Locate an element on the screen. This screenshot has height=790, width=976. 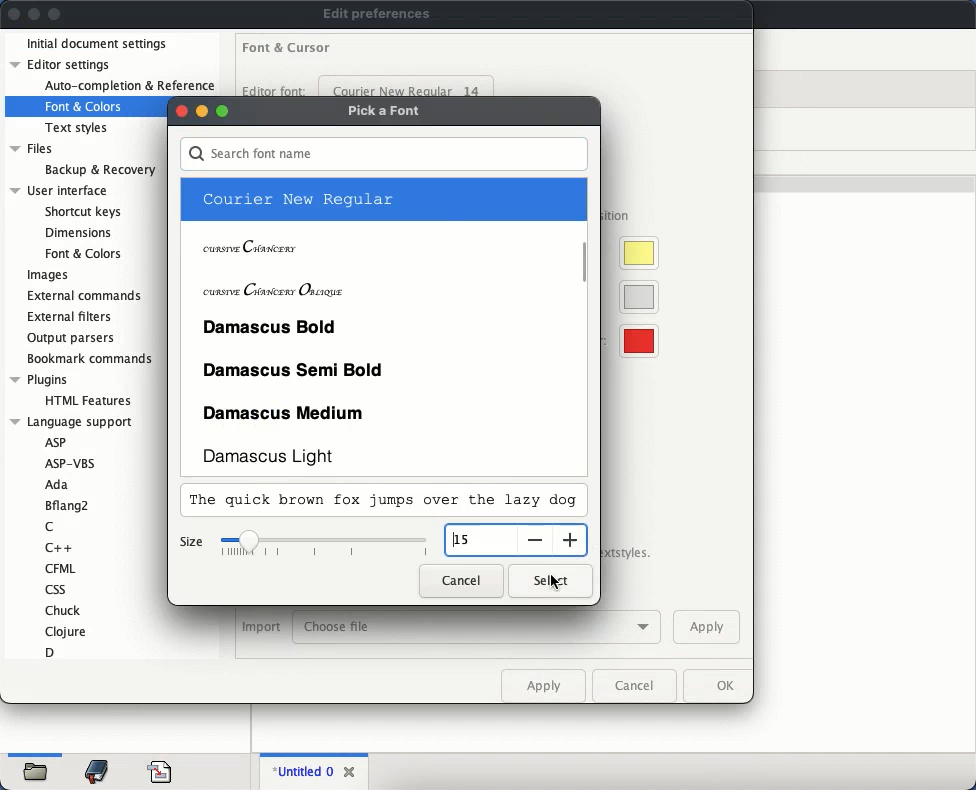
Ada is located at coordinates (56, 486).